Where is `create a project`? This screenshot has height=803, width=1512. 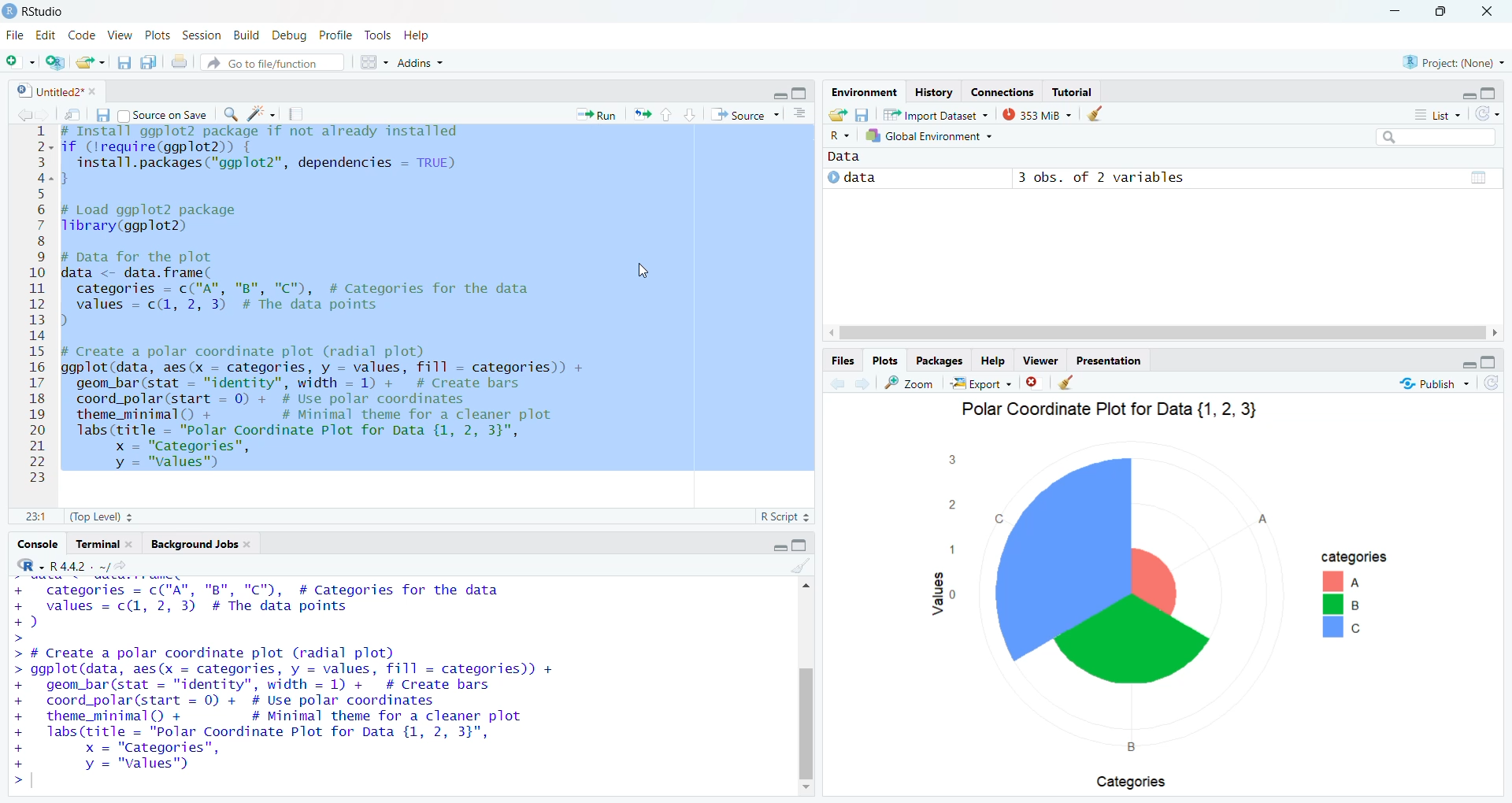
create a project is located at coordinates (56, 63).